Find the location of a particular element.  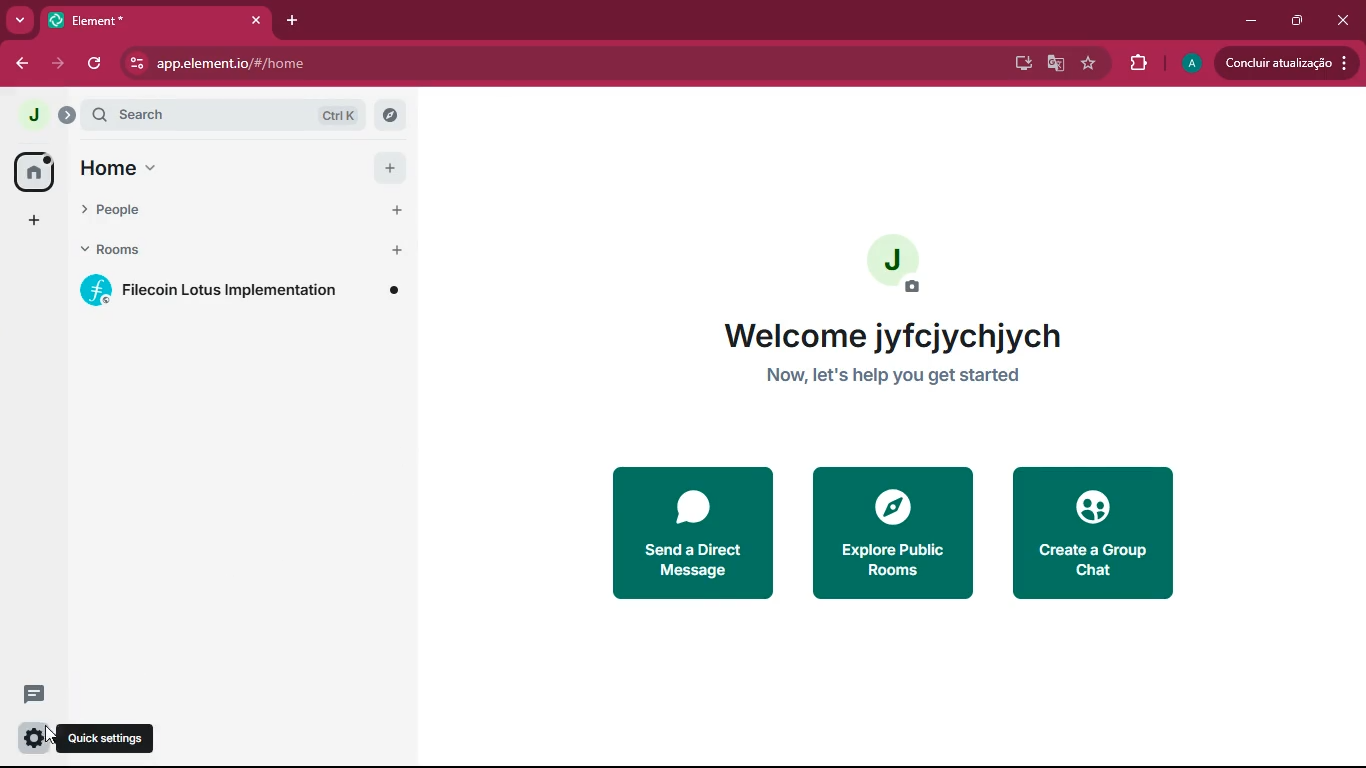

refresh is located at coordinates (94, 65).